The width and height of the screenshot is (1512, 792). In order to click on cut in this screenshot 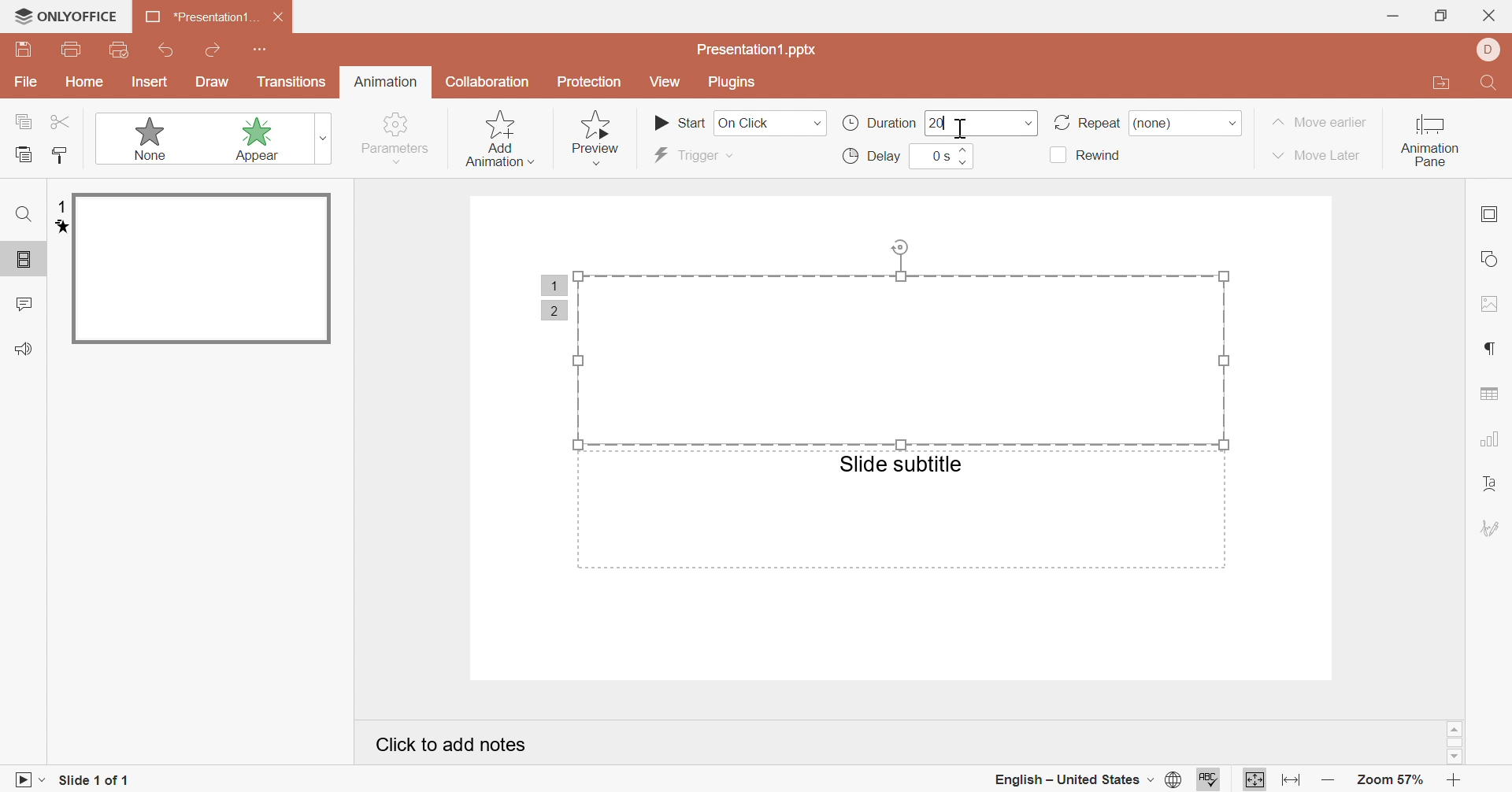, I will do `click(61, 122)`.